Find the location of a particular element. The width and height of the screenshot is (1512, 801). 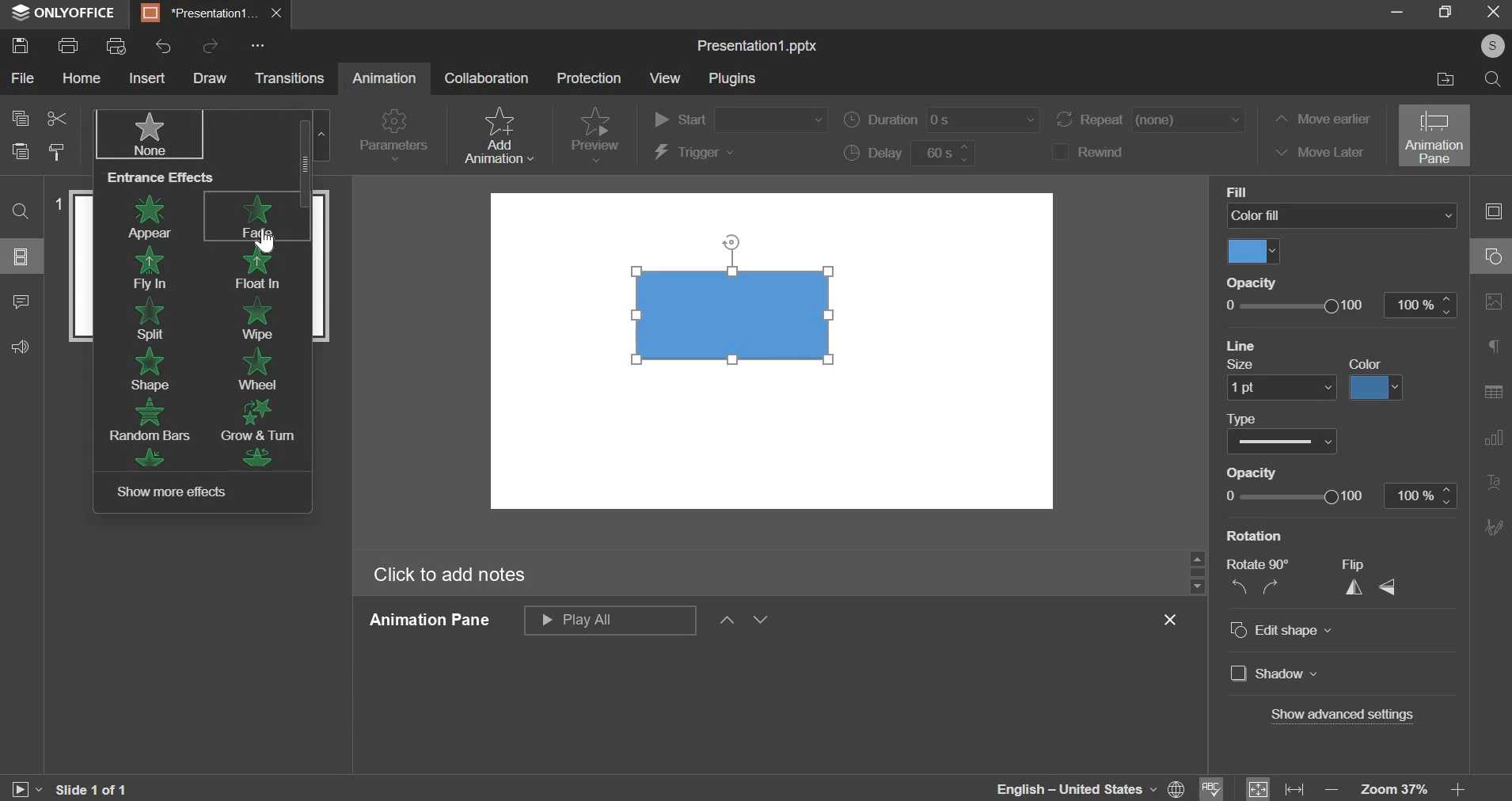

show more effects is located at coordinates (180, 492).